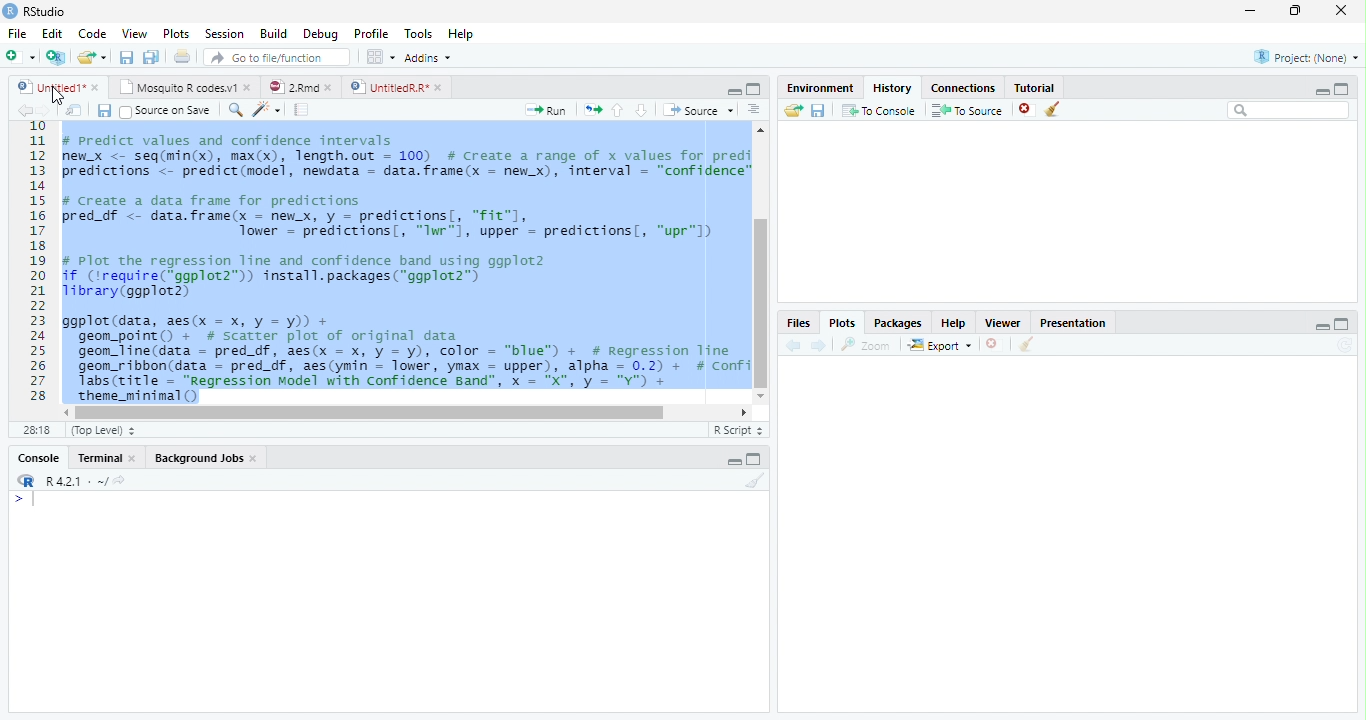  I want to click on Help, so click(956, 322).